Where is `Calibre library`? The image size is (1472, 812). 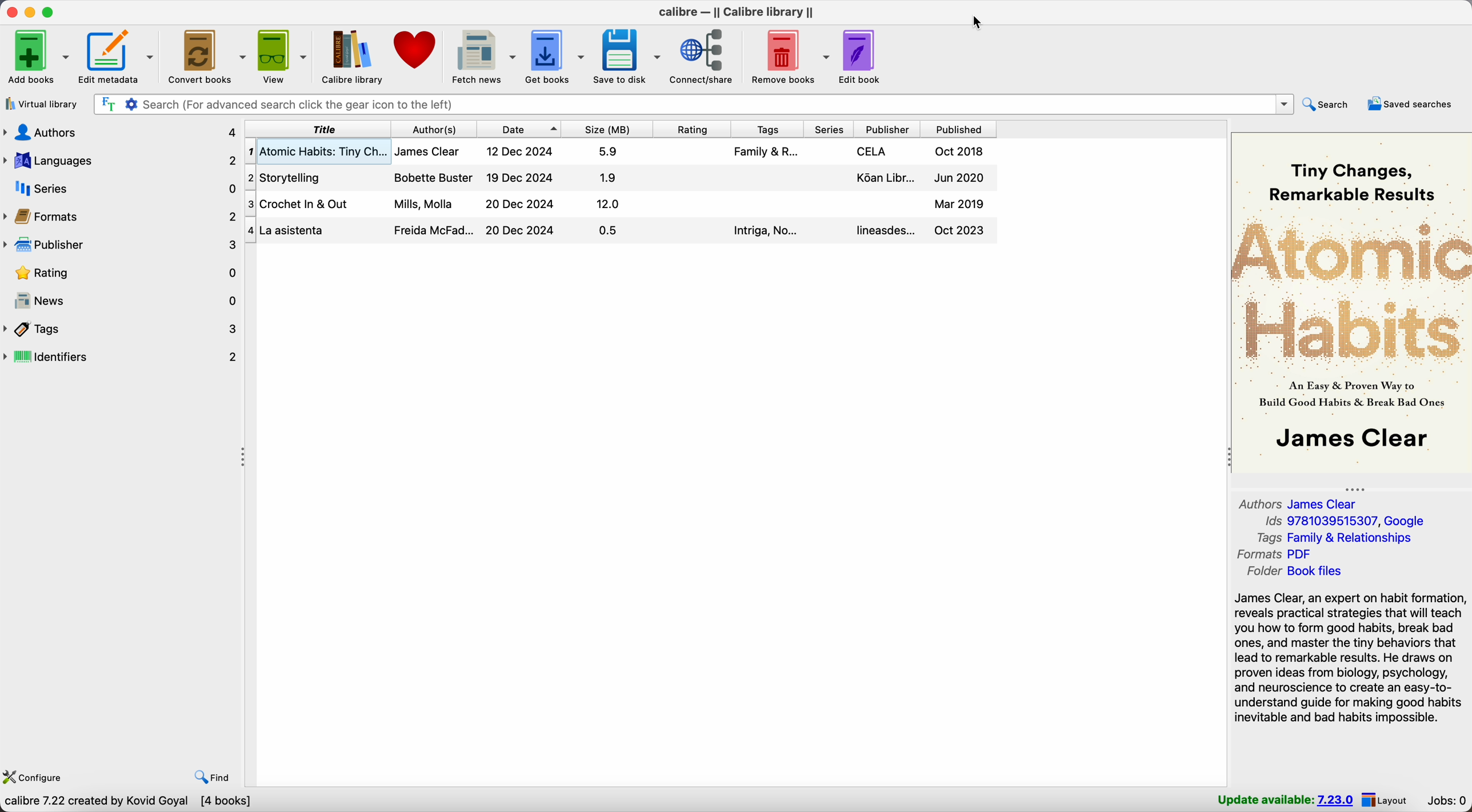
Calibre library is located at coordinates (353, 58).